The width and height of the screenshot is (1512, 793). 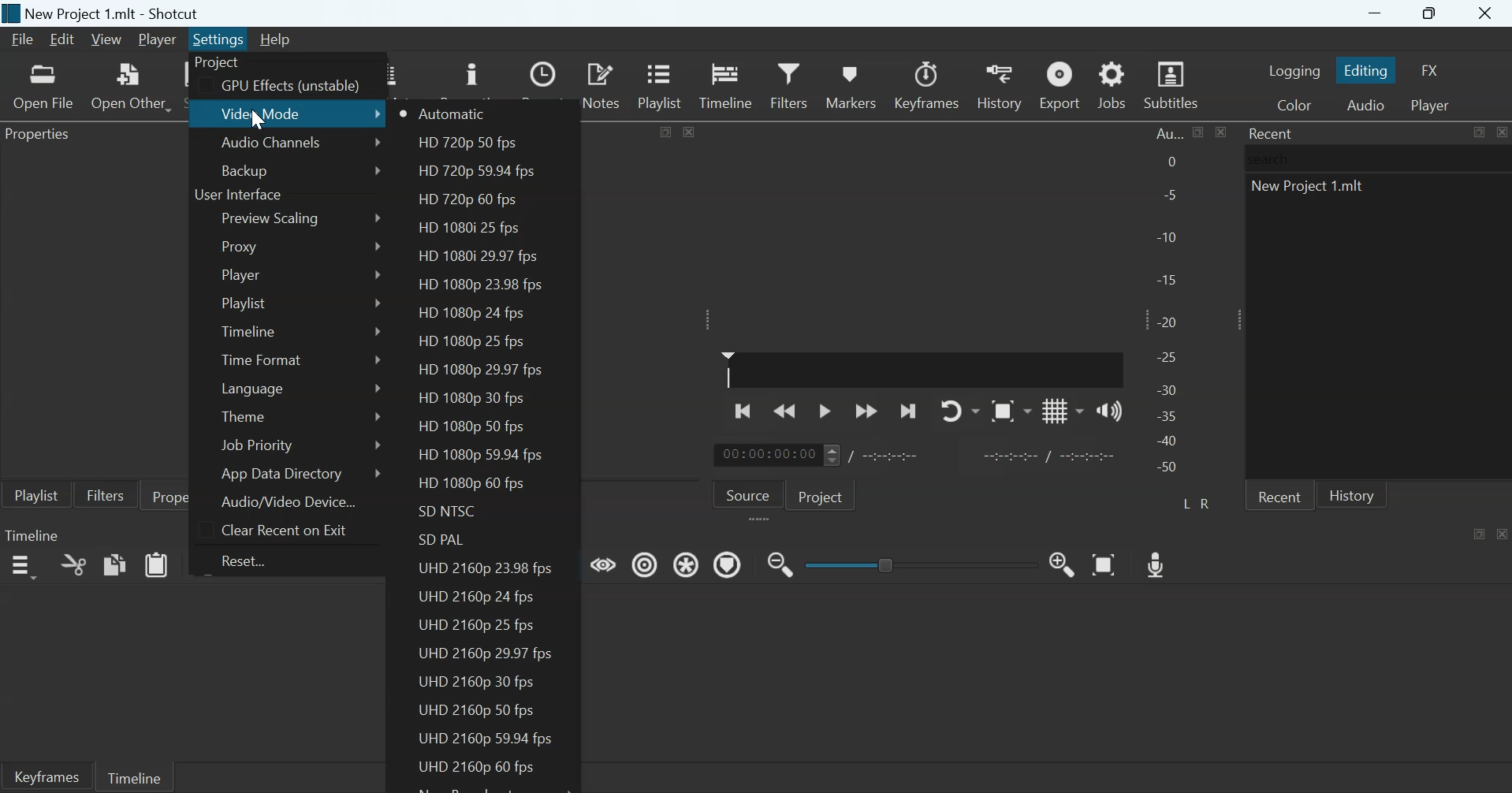 What do you see at coordinates (1501, 132) in the screenshot?
I see `Close` at bounding box center [1501, 132].